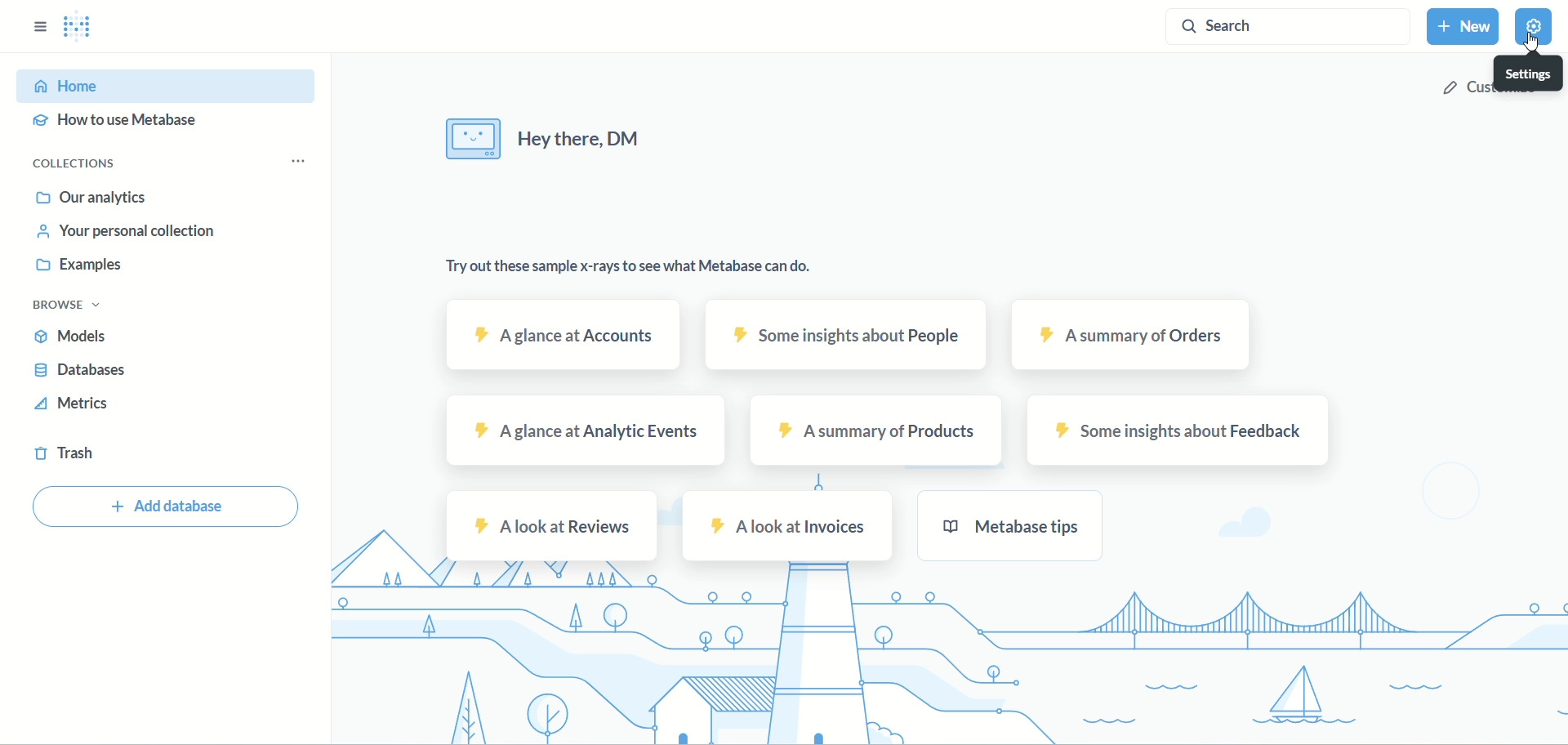 The image size is (1568, 745). What do you see at coordinates (38, 27) in the screenshot?
I see `sidebar` at bounding box center [38, 27].